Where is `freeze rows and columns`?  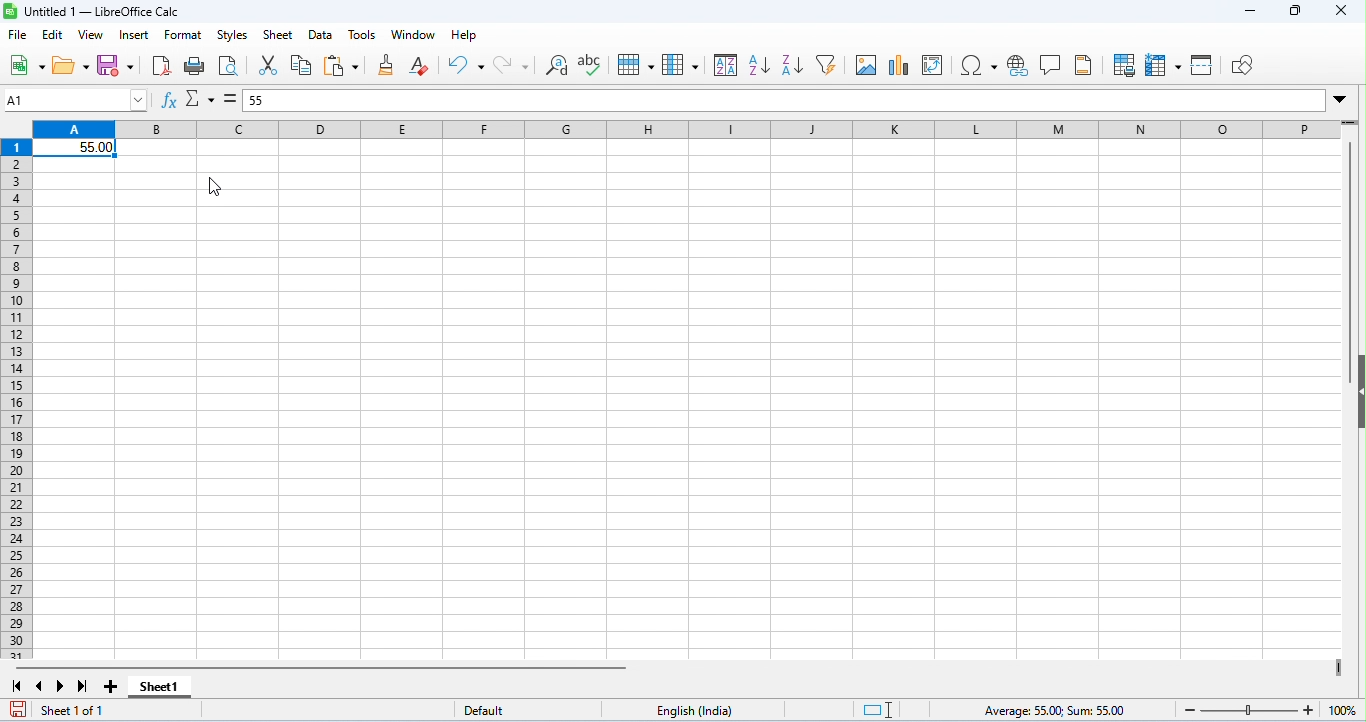 freeze rows and columns is located at coordinates (1163, 65).